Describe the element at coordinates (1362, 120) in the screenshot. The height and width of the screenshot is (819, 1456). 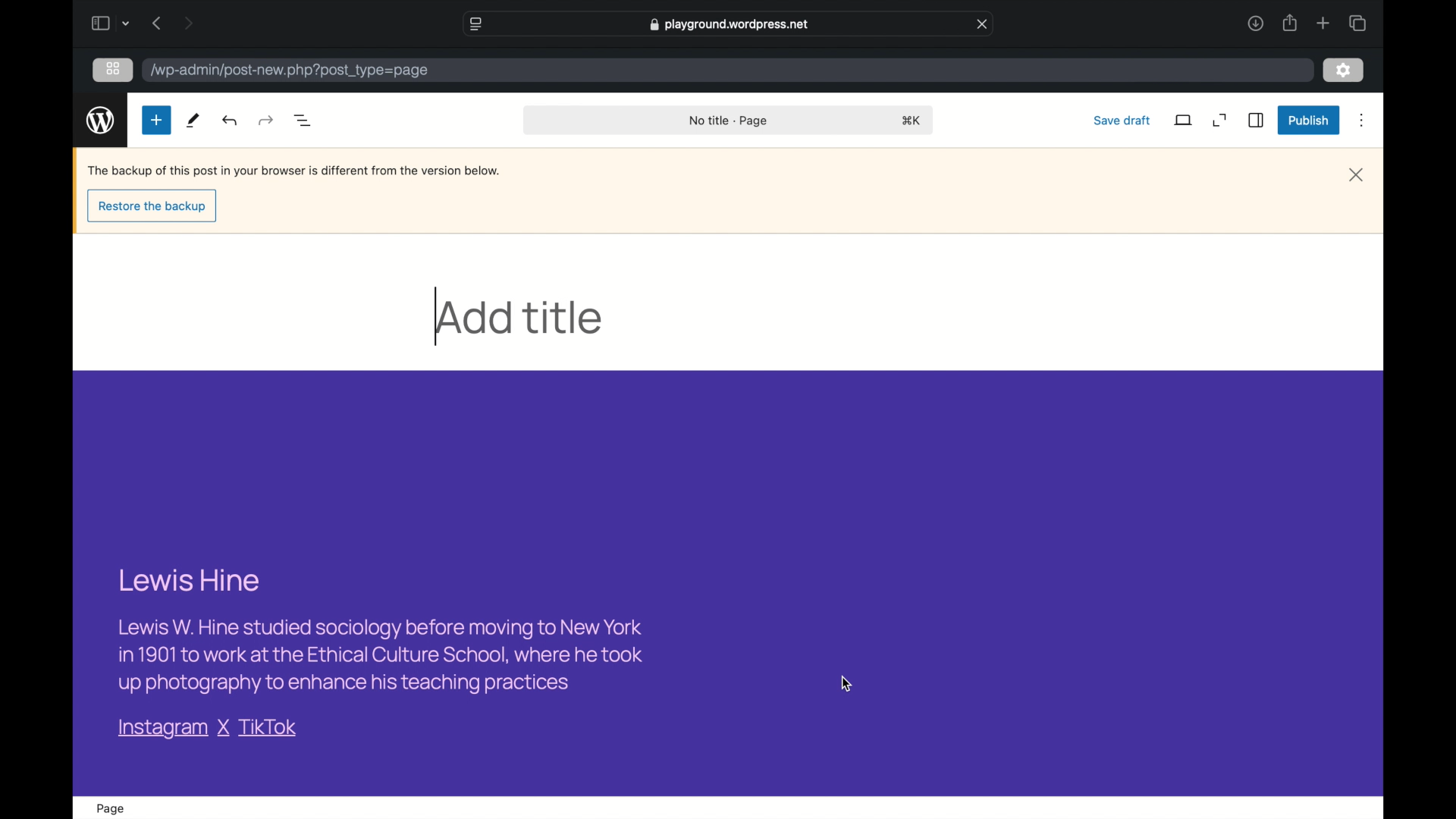
I see `more options` at that location.